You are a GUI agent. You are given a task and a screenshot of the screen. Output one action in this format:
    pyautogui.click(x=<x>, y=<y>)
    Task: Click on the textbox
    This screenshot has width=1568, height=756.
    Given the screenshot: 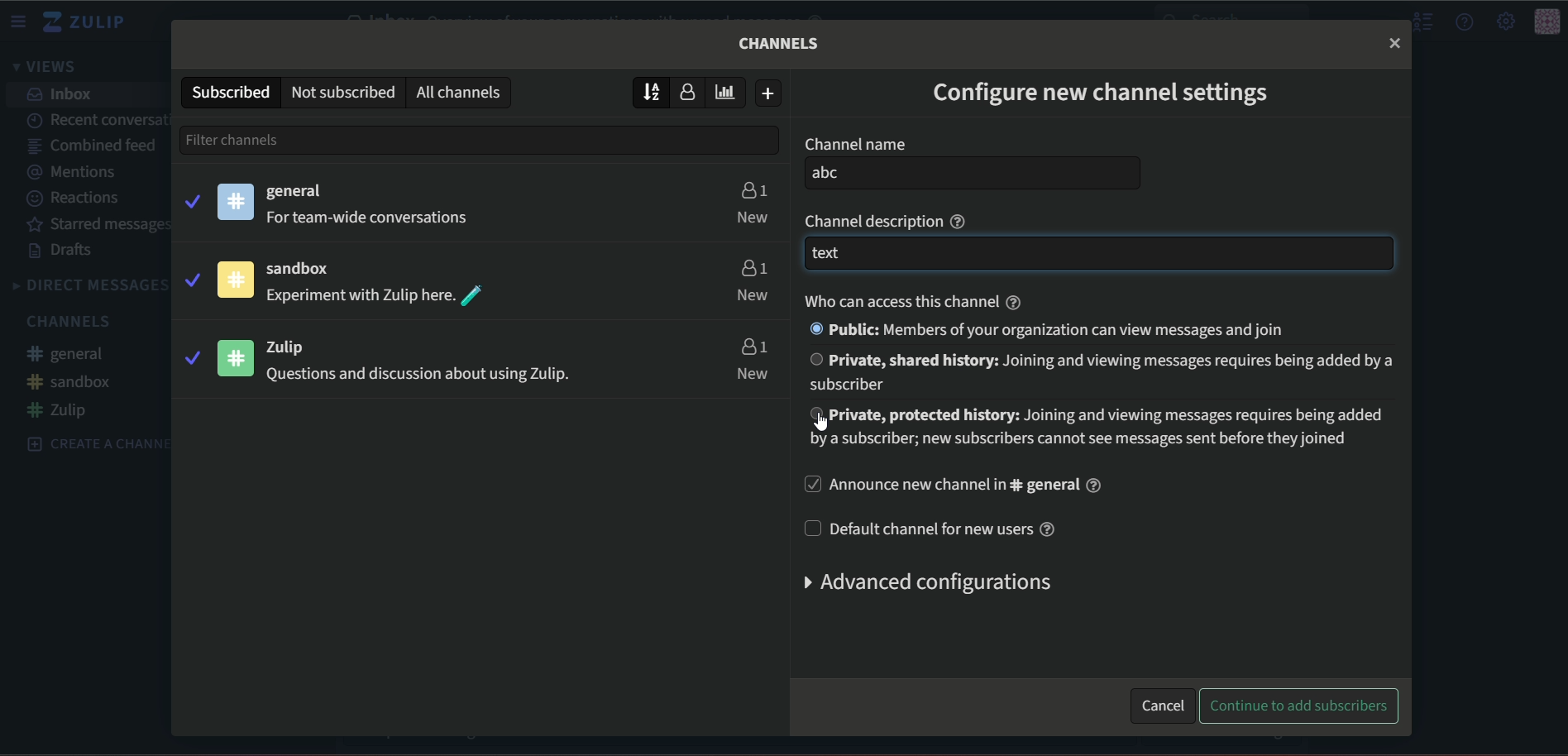 What is the action you would take?
    pyautogui.click(x=1097, y=254)
    